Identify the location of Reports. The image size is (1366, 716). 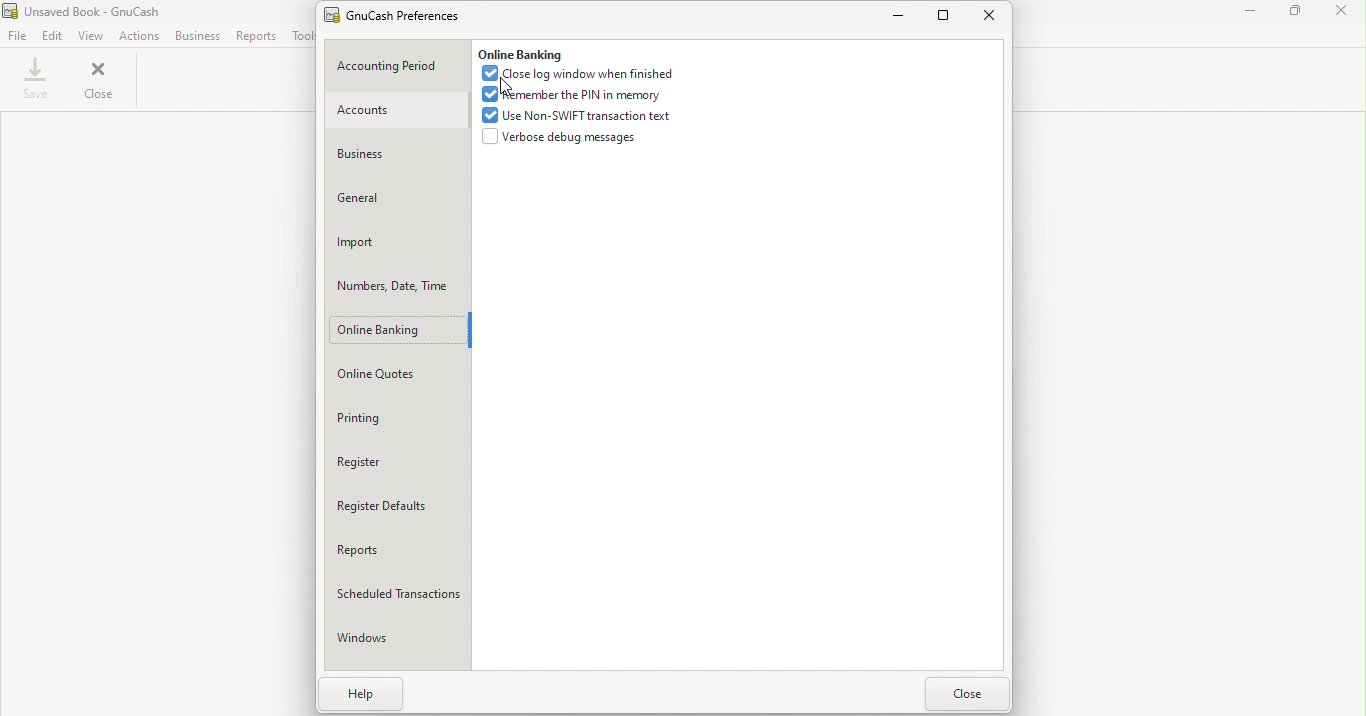
(399, 550).